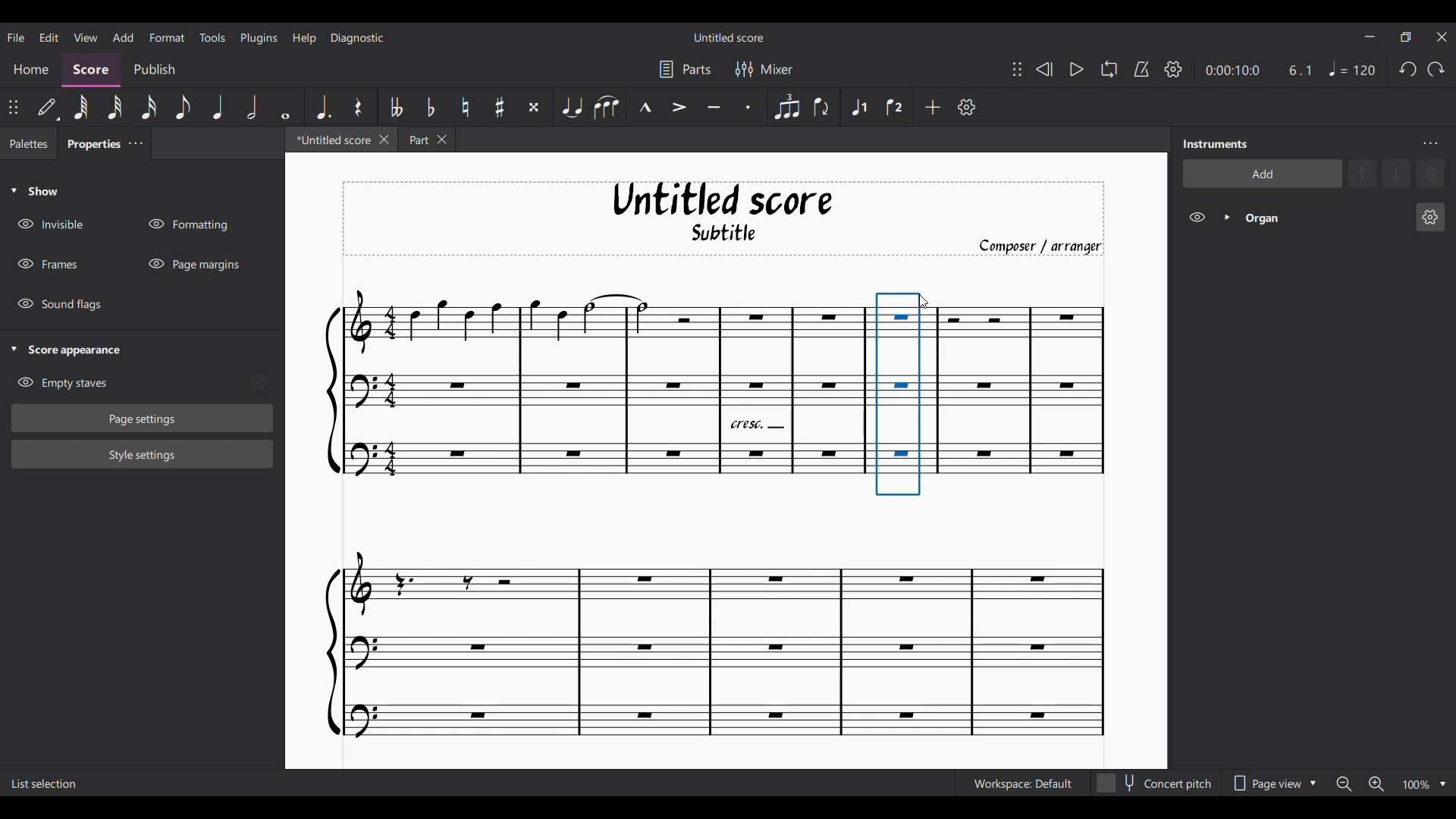 This screenshot has width=1456, height=819. Describe the element at coordinates (967, 107) in the screenshot. I see `Customize toolbar` at that location.